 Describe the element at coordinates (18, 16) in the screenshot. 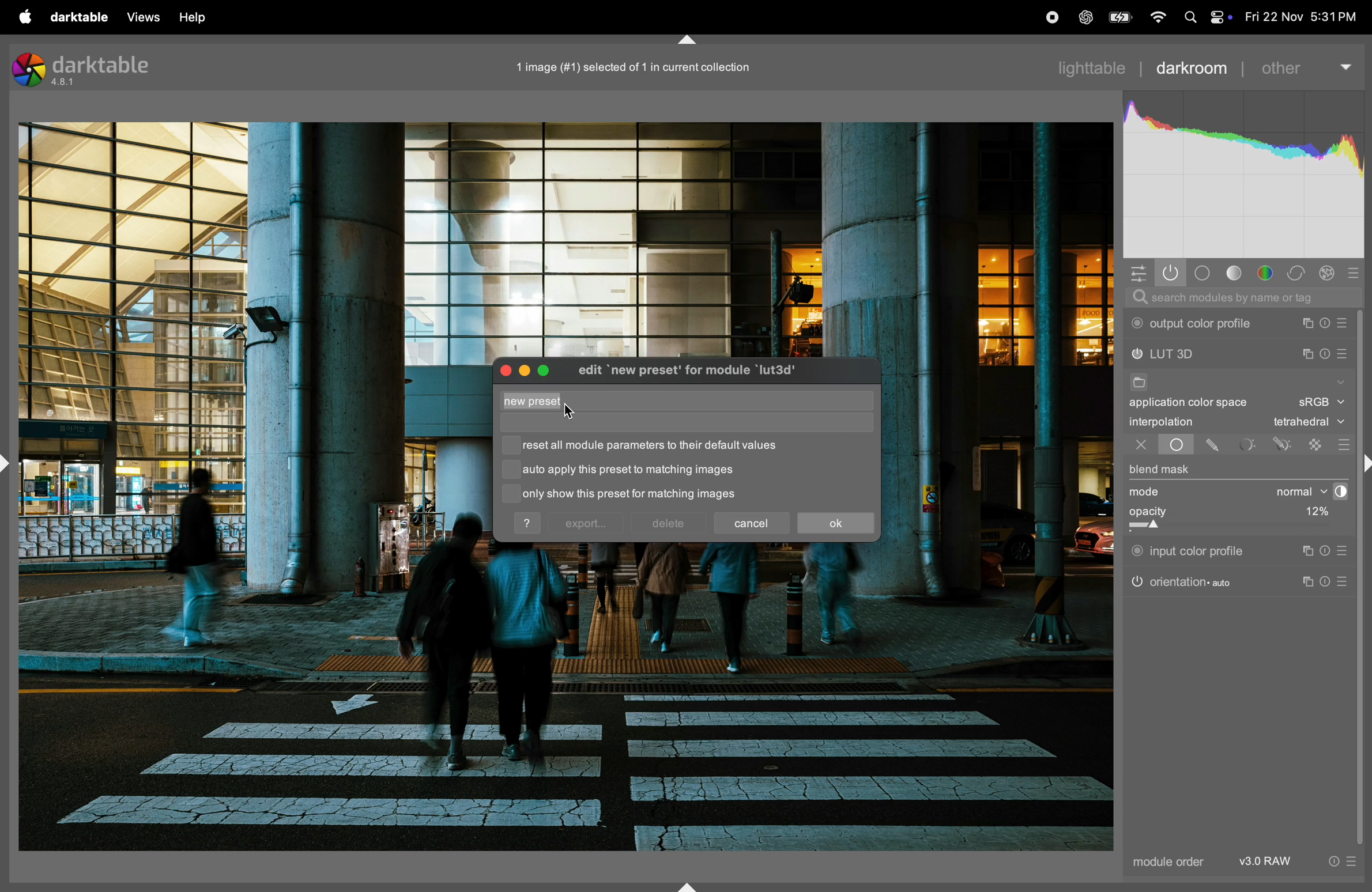

I see `apple menu` at that location.